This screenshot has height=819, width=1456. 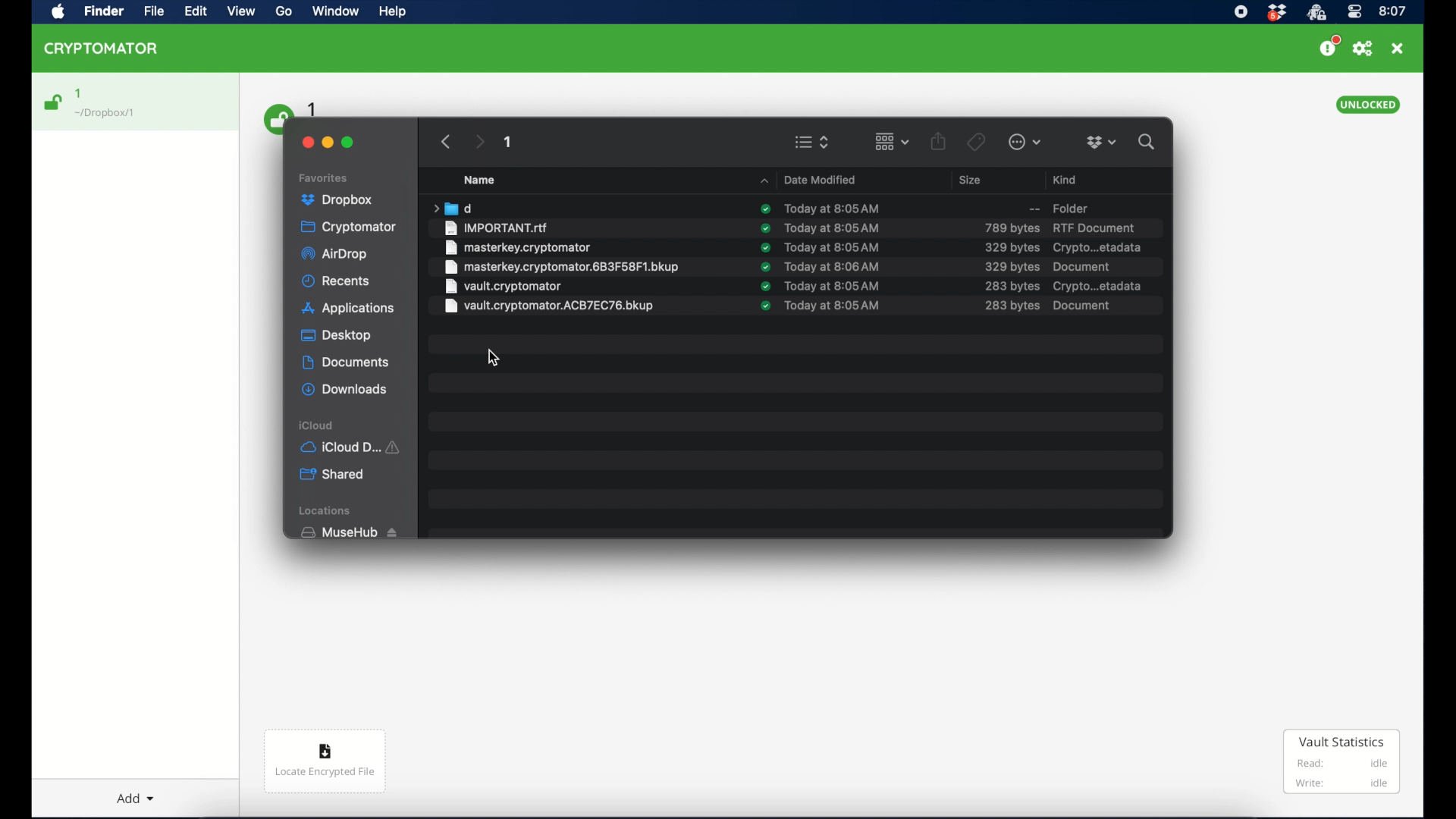 I want to click on sync, so click(x=765, y=227).